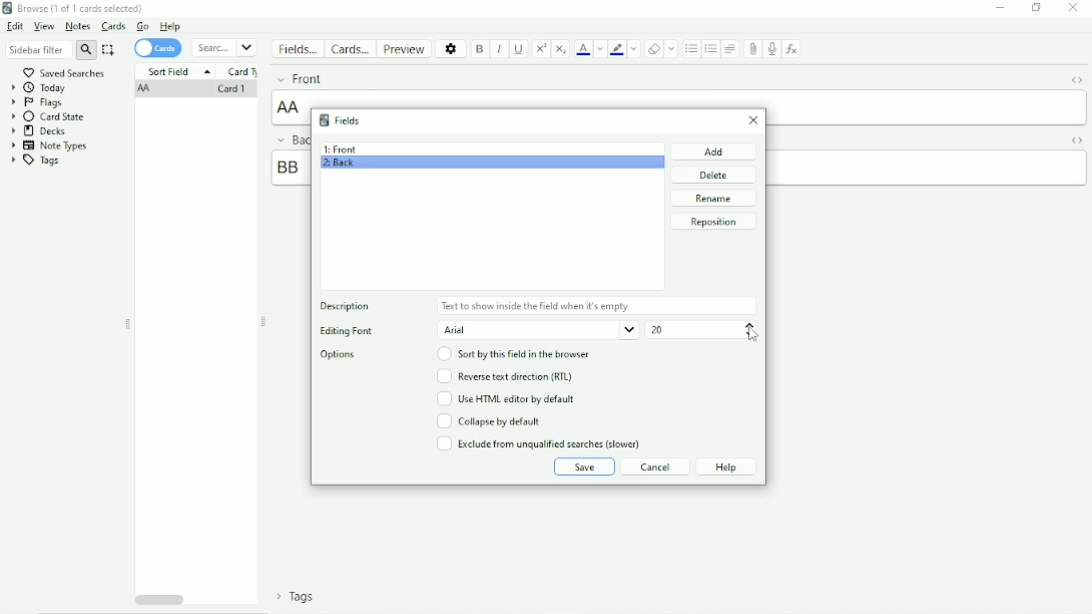 This screenshot has height=614, width=1092. Describe the element at coordinates (1000, 8) in the screenshot. I see `Minimize` at that location.